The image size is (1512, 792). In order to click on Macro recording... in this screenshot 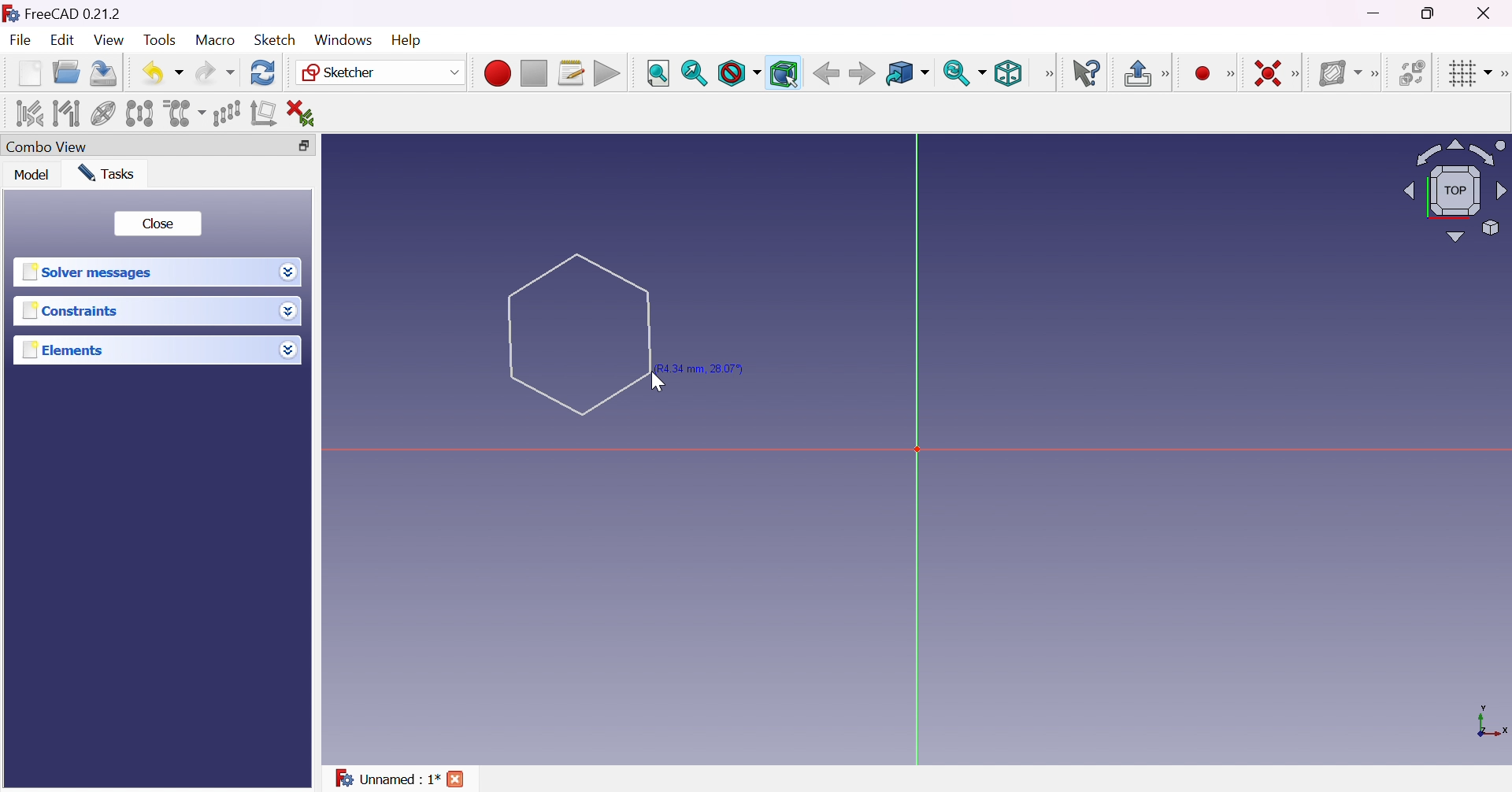, I will do `click(497, 73)`.